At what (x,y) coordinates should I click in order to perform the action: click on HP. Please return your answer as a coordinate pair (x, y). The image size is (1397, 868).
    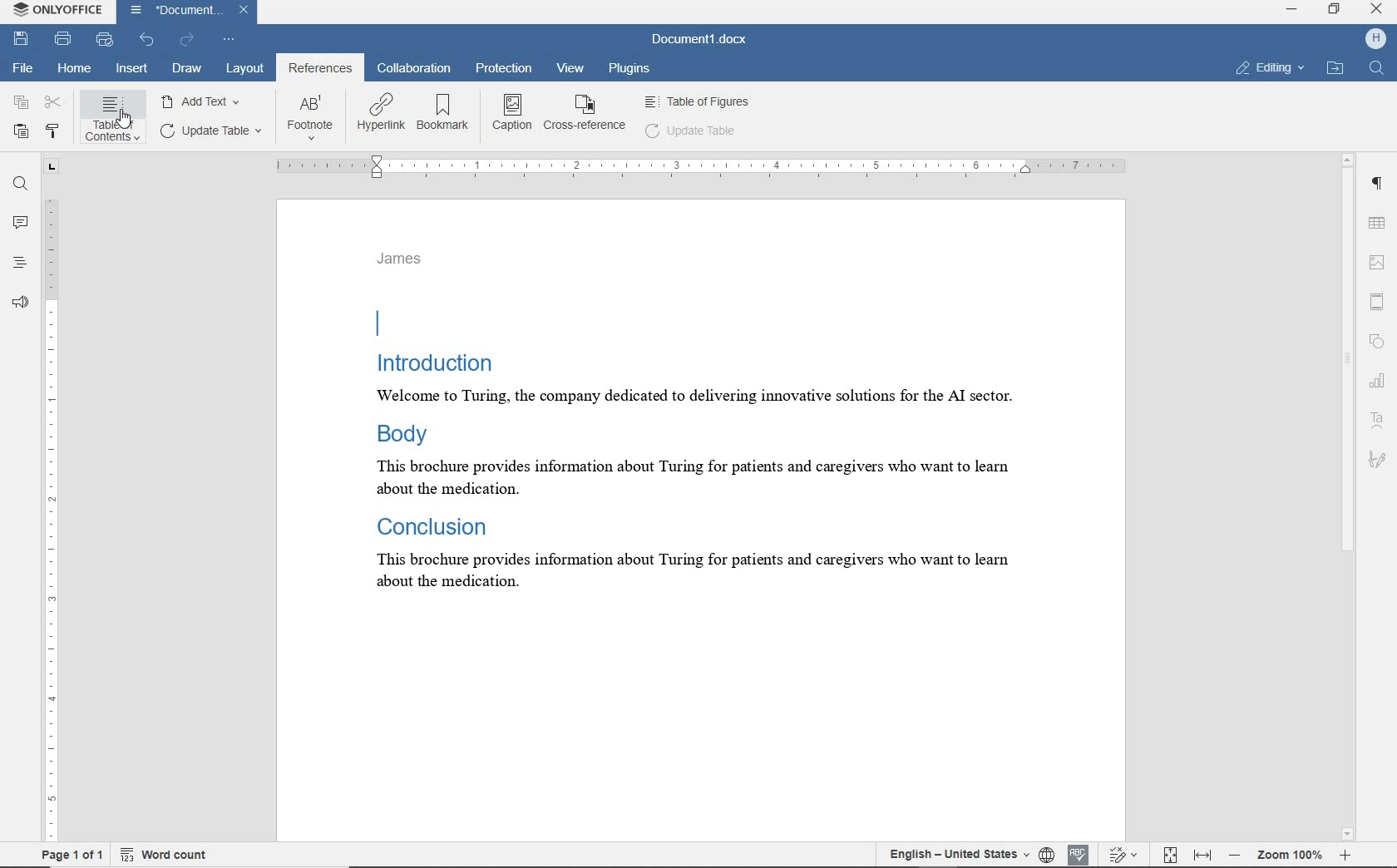
    Looking at the image, I should click on (1375, 39).